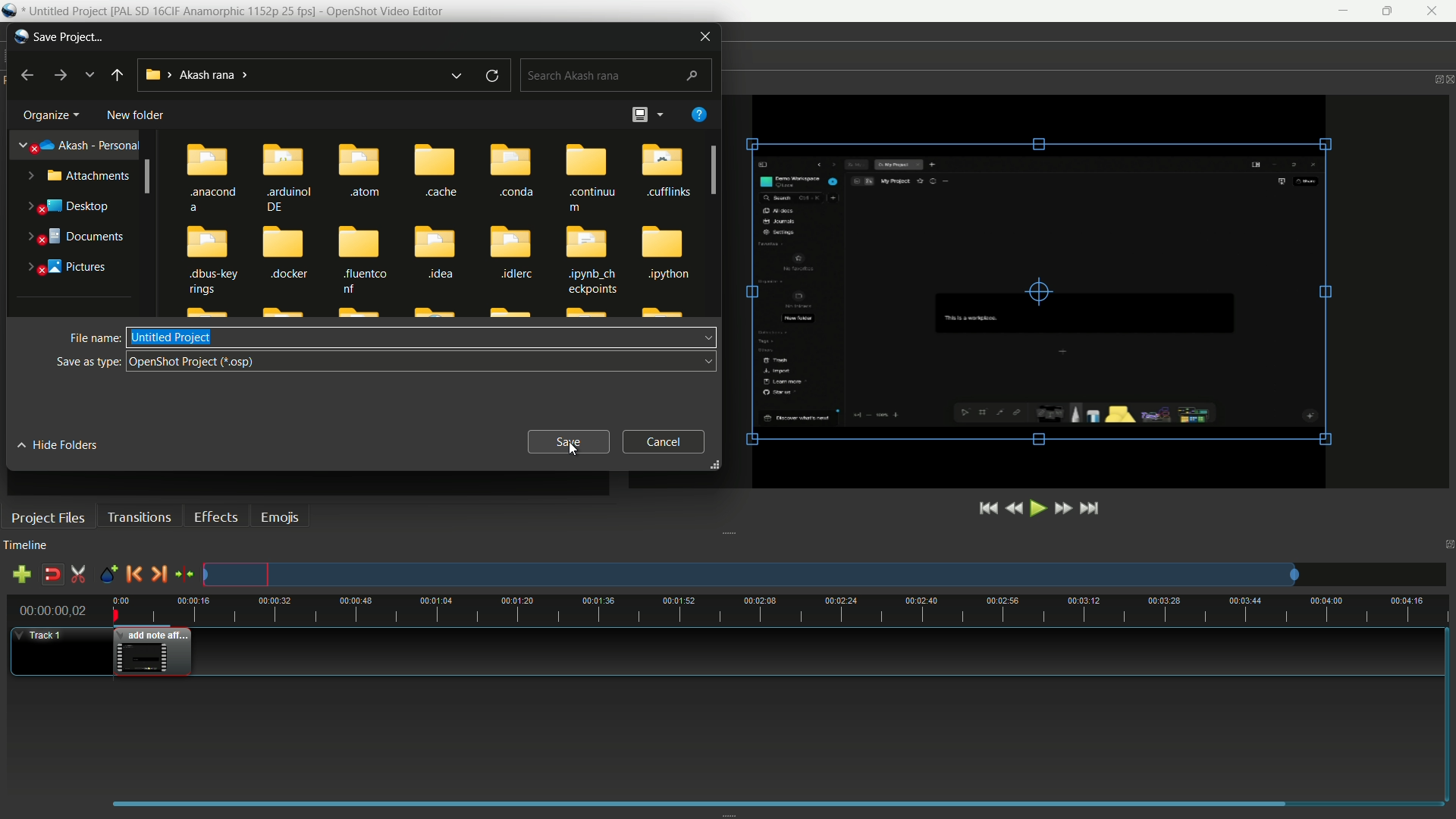  I want to click on back, so click(26, 76).